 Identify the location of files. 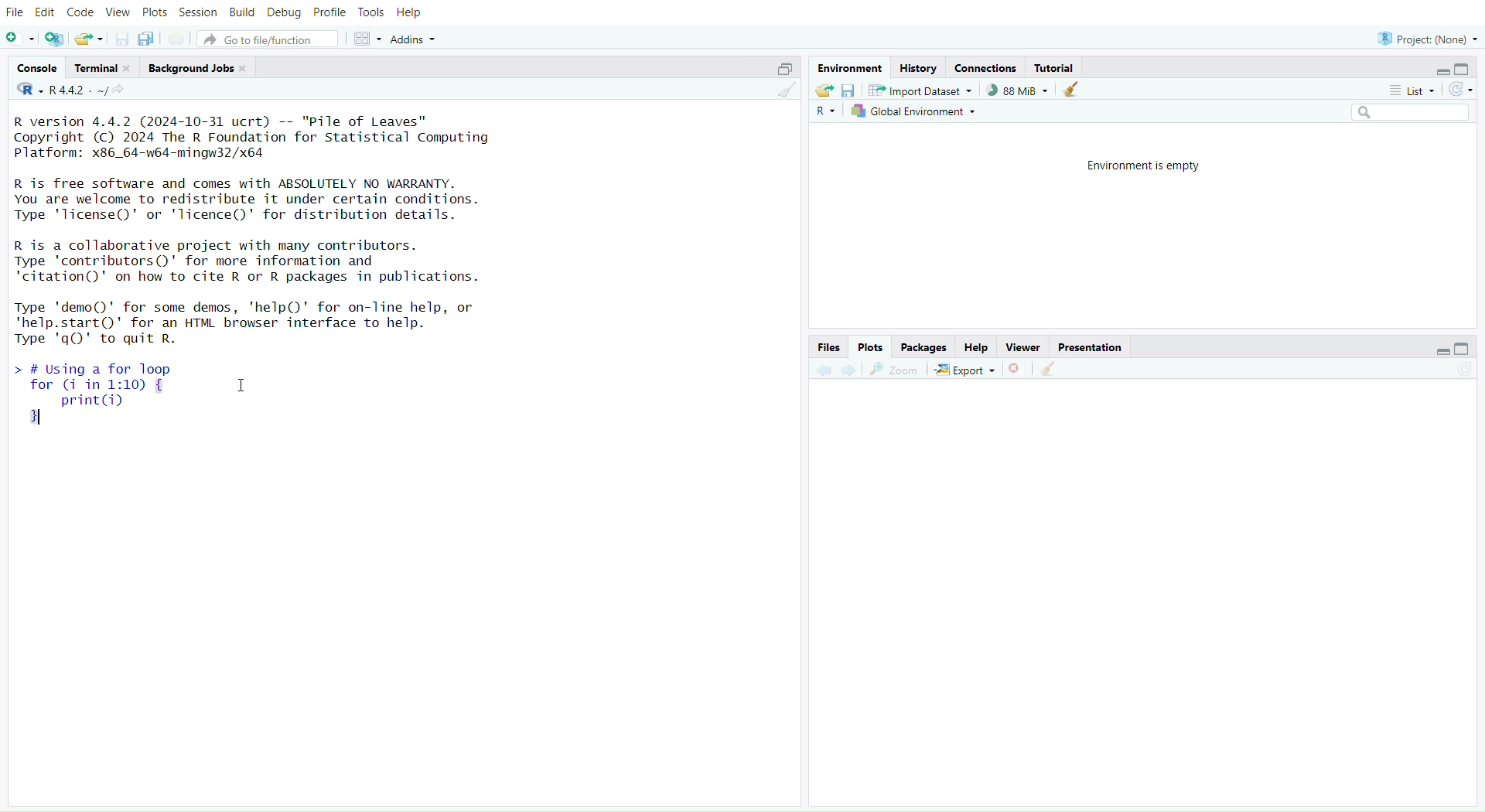
(828, 346).